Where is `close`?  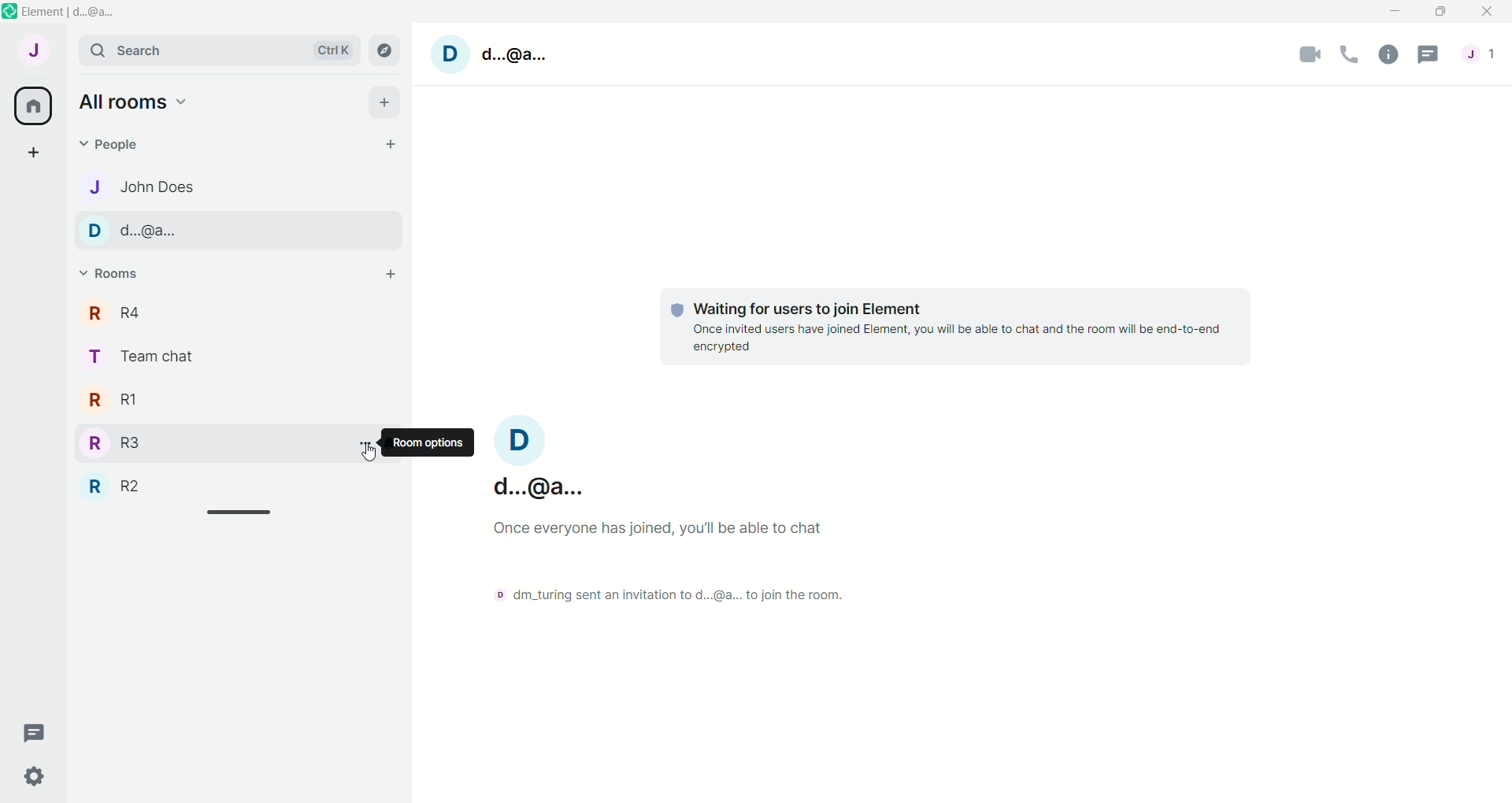 close is located at coordinates (1491, 13).